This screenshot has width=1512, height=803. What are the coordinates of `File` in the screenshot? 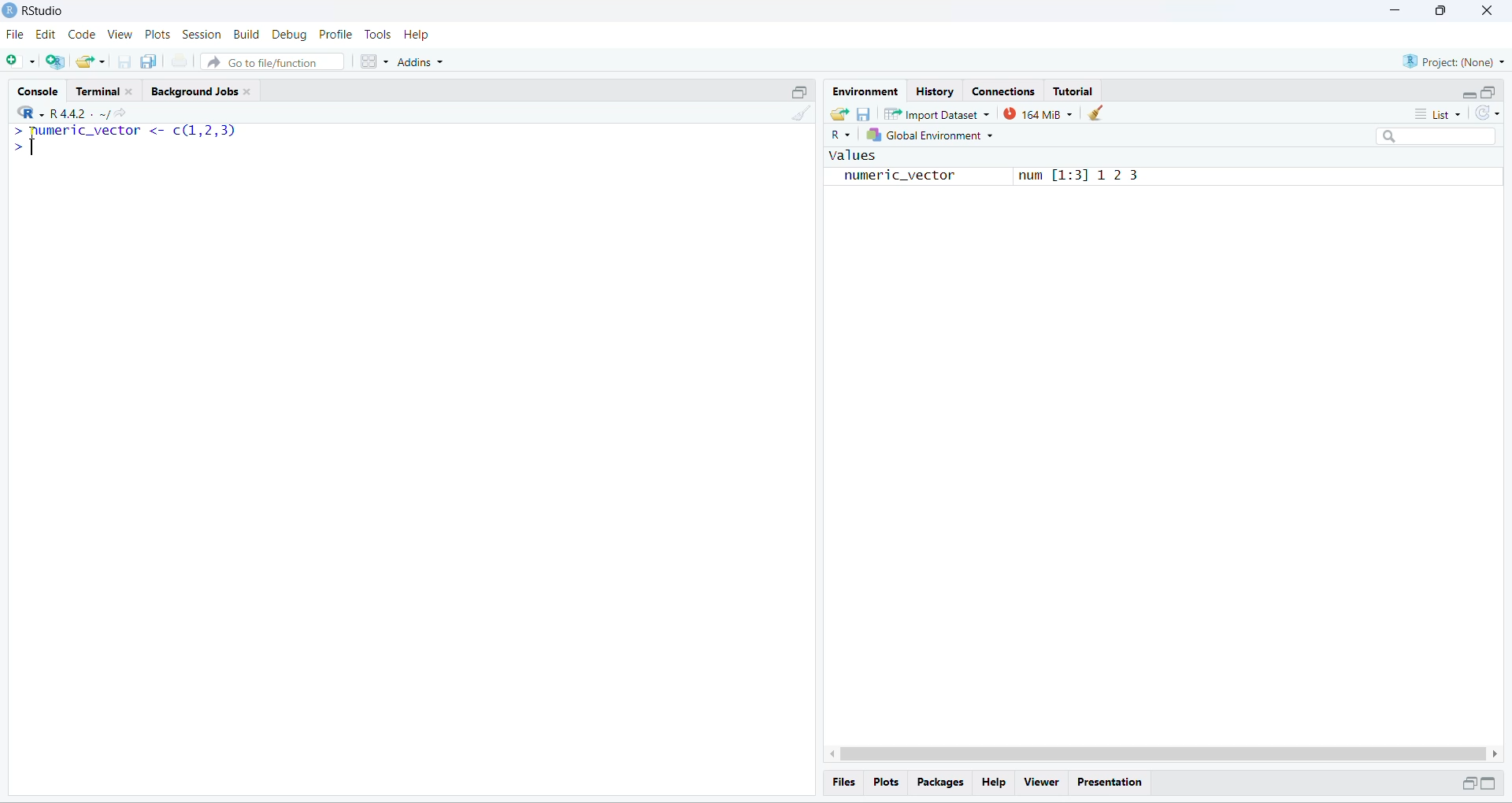 It's located at (16, 35).